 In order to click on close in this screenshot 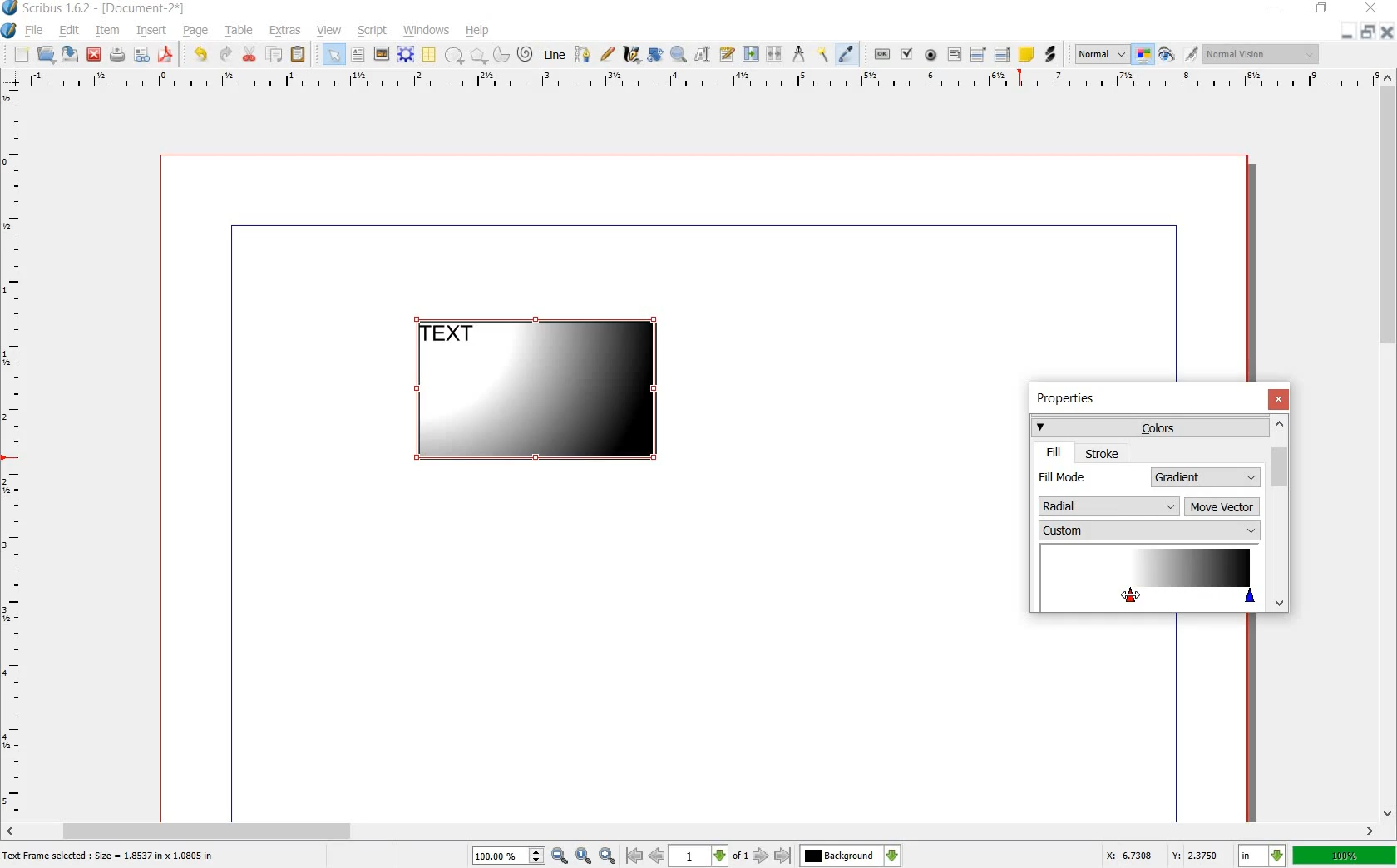, I will do `click(1374, 7)`.